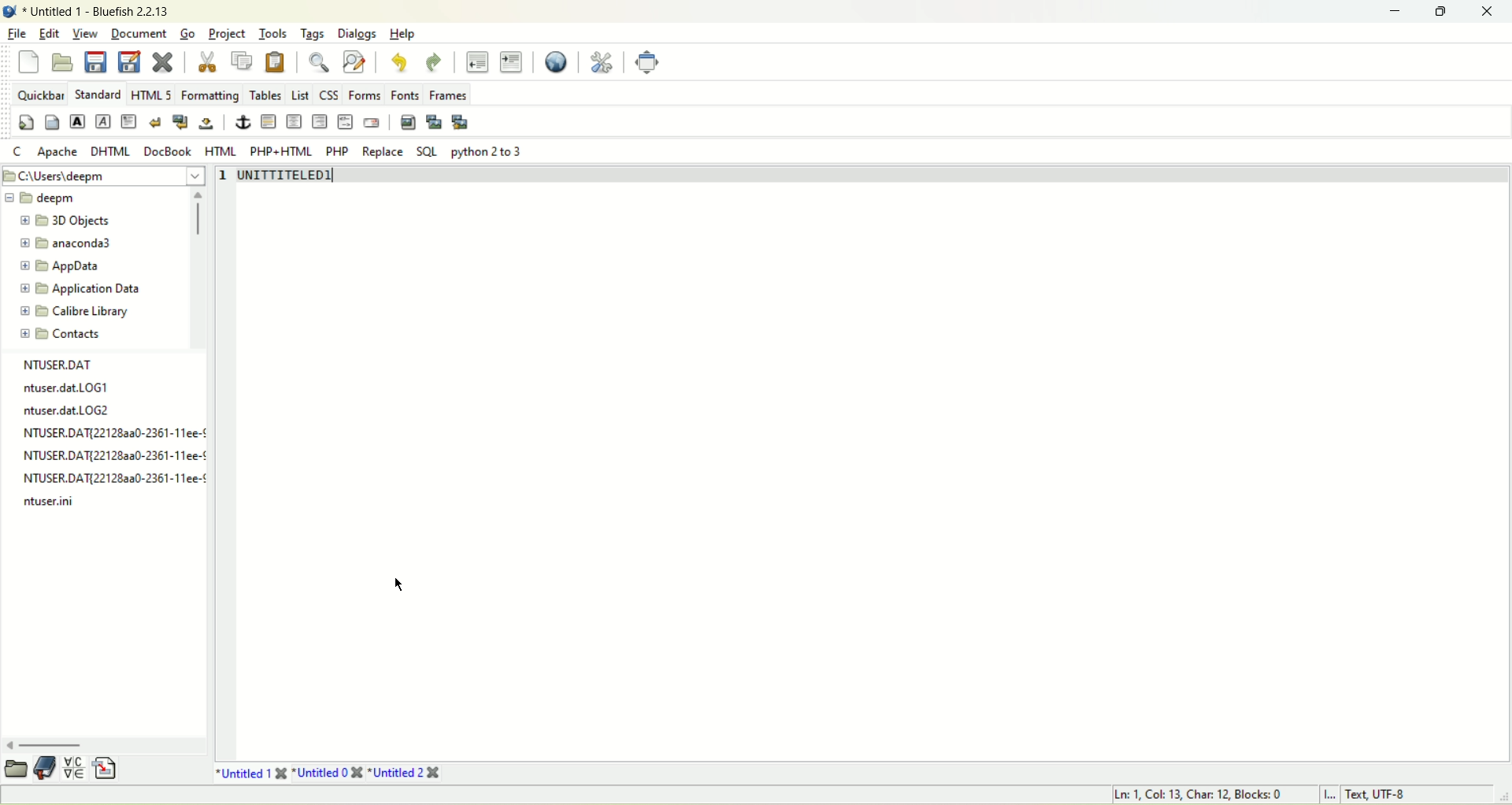 The image size is (1512, 805). What do you see at coordinates (166, 150) in the screenshot?
I see `DocBook` at bounding box center [166, 150].